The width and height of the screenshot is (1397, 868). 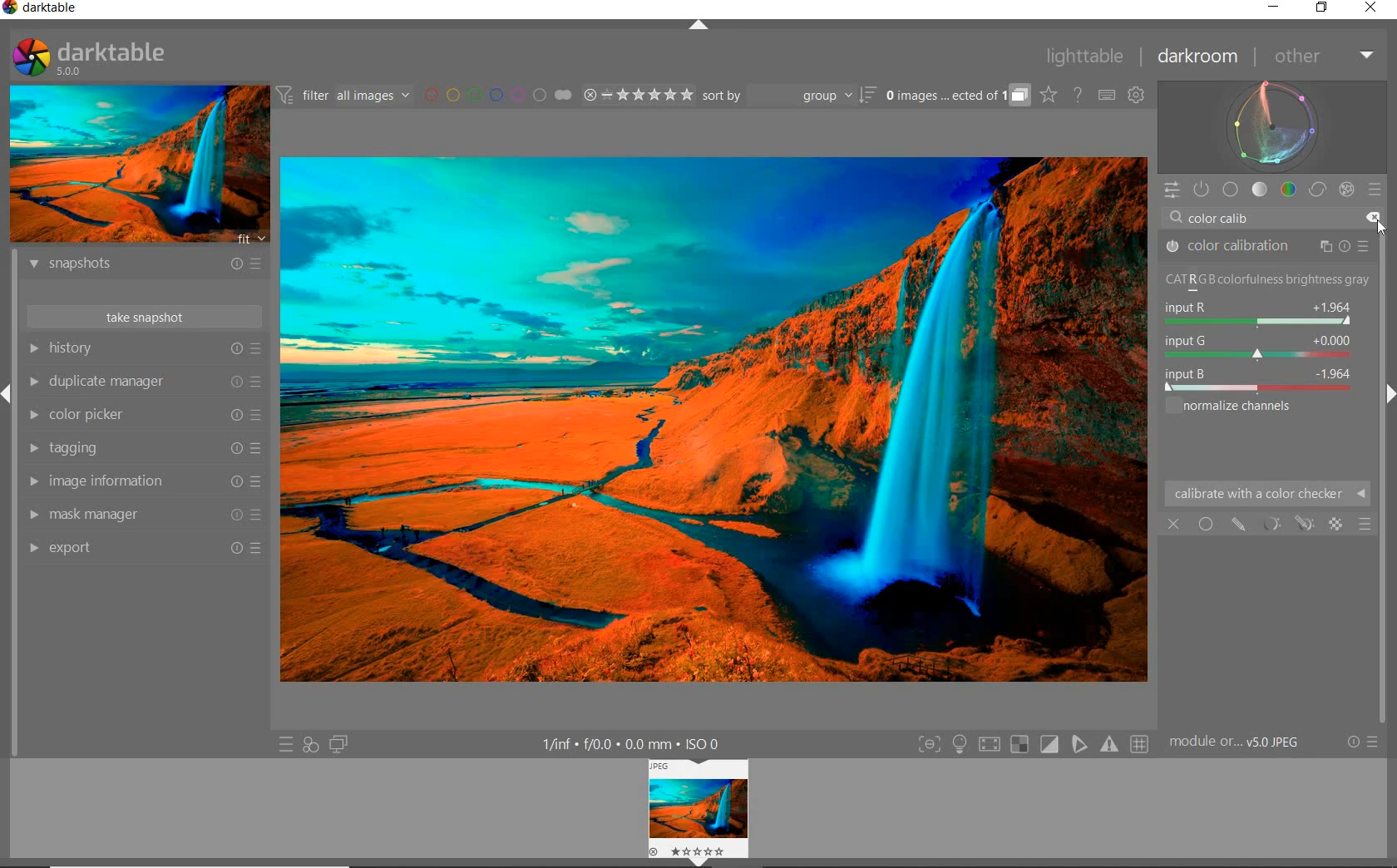 What do you see at coordinates (1049, 95) in the screenshot?
I see `CLICK TO CHANGE THE OVERLAYS SHOWN ON THUMBNAILS` at bounding box center [1049, 95].